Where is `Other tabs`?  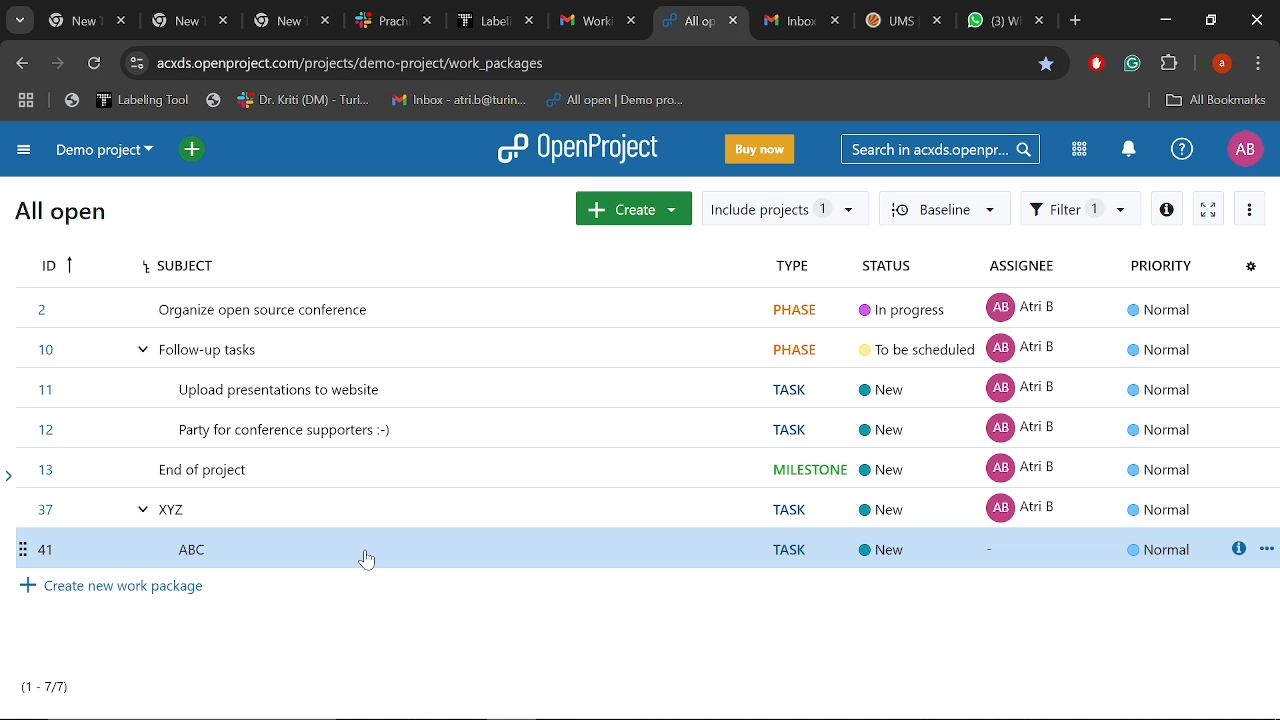
Other tabs is located at coordinates (905, 23).